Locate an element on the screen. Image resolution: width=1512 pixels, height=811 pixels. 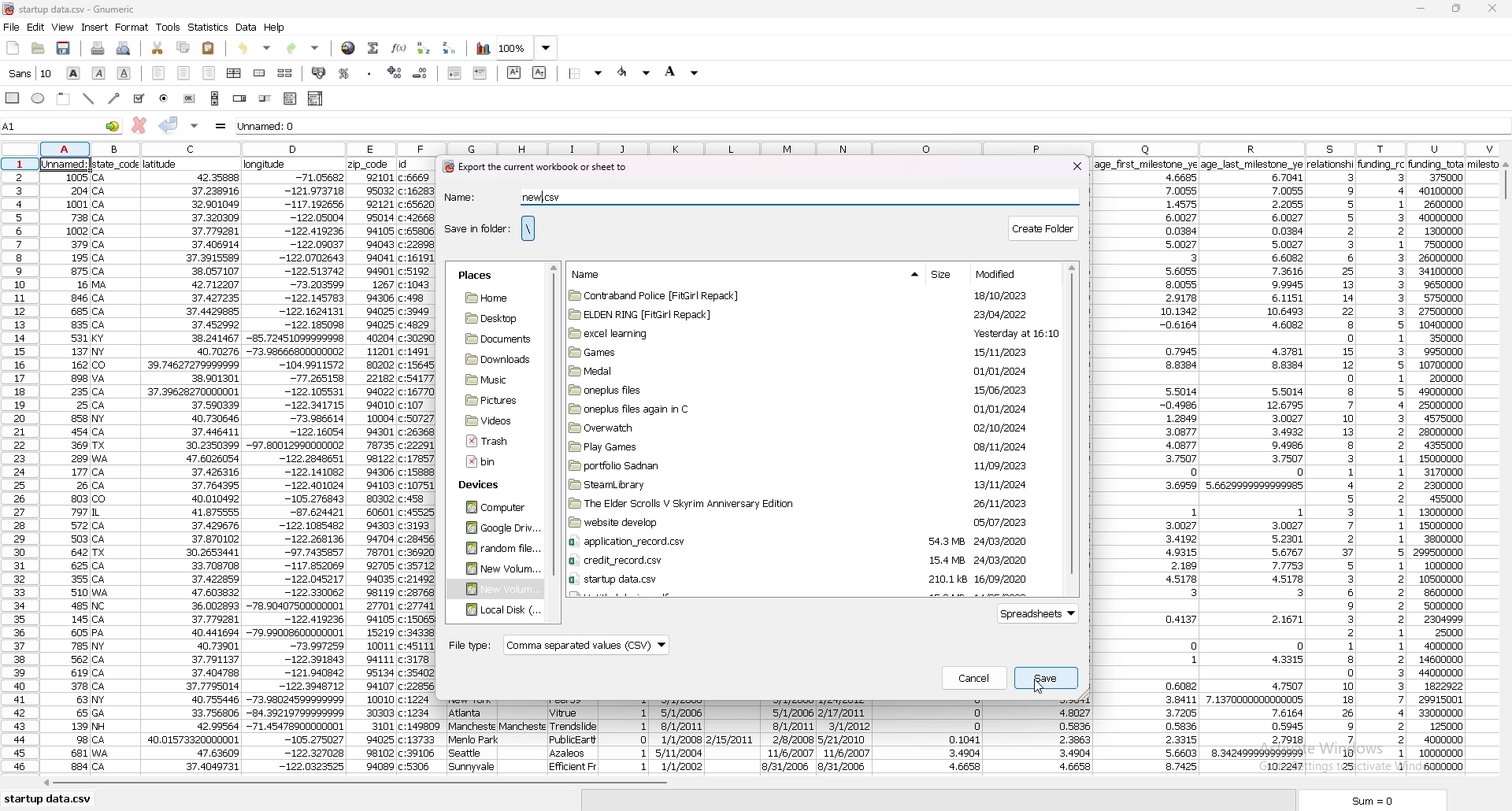
data is located at coordinates (844, 734).